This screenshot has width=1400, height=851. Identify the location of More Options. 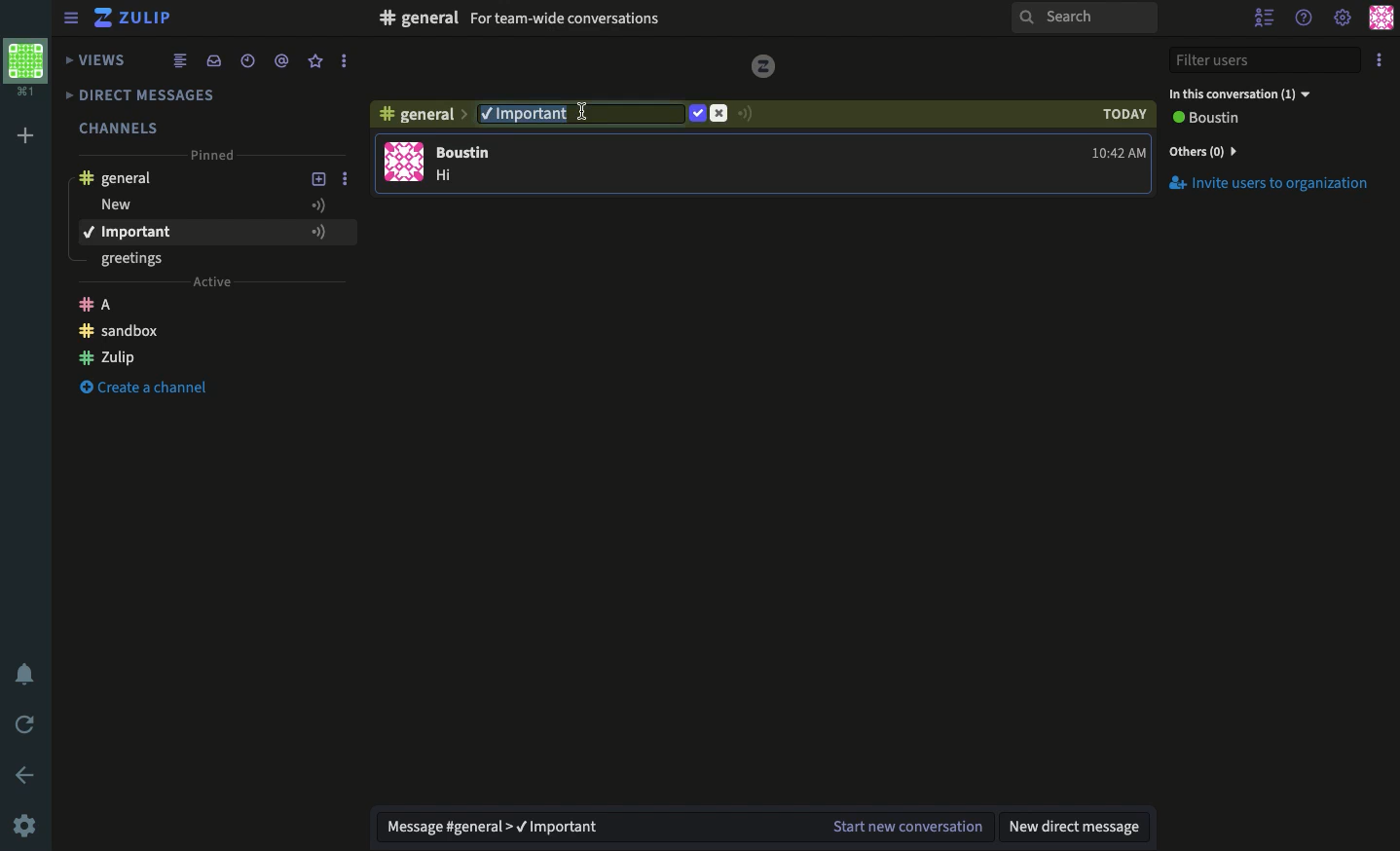
(348, 63).